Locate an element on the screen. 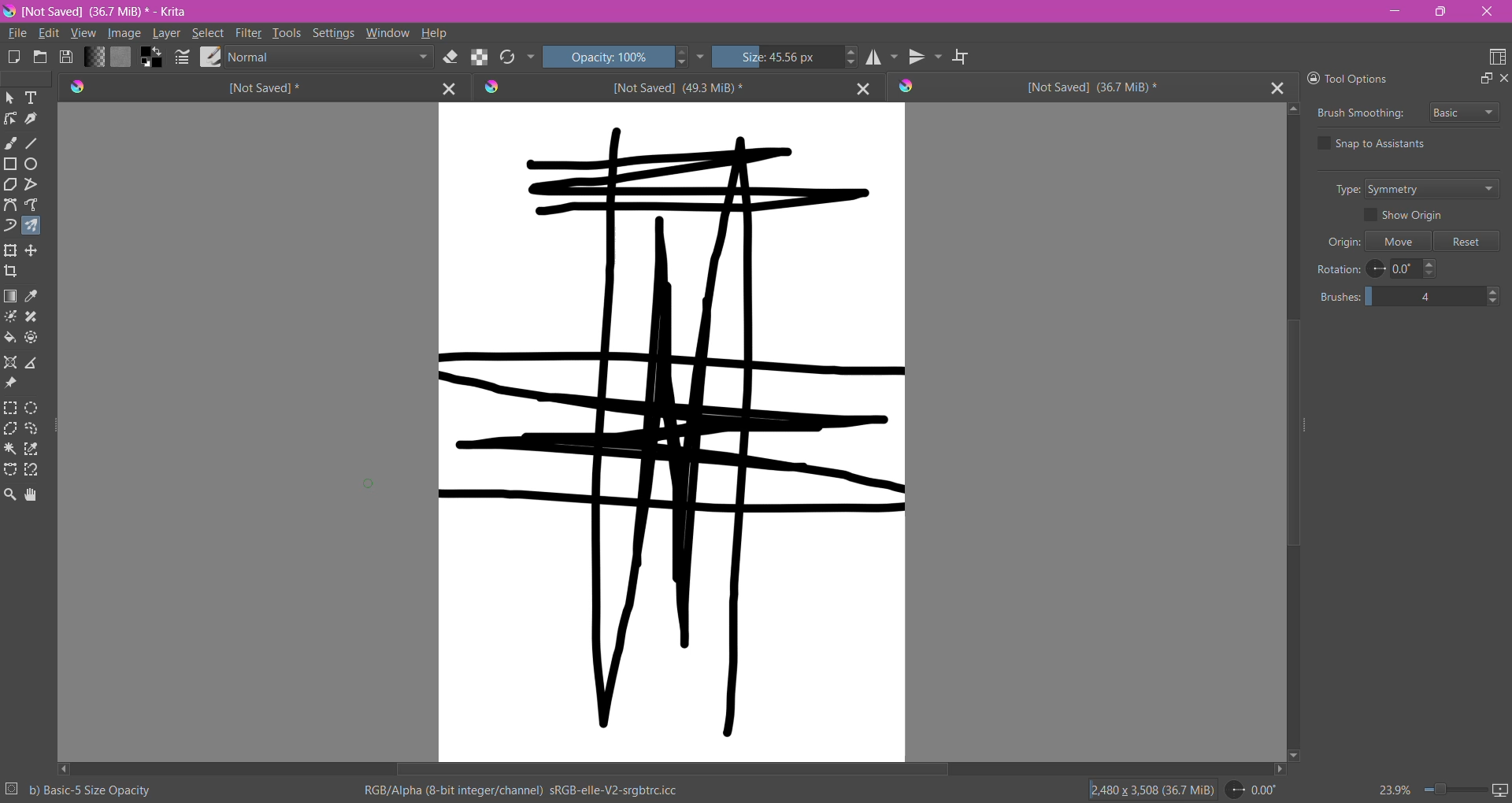 The image size is (1512, 803). Unsaved Document Tab3 is located at coordinates (1077, 87).